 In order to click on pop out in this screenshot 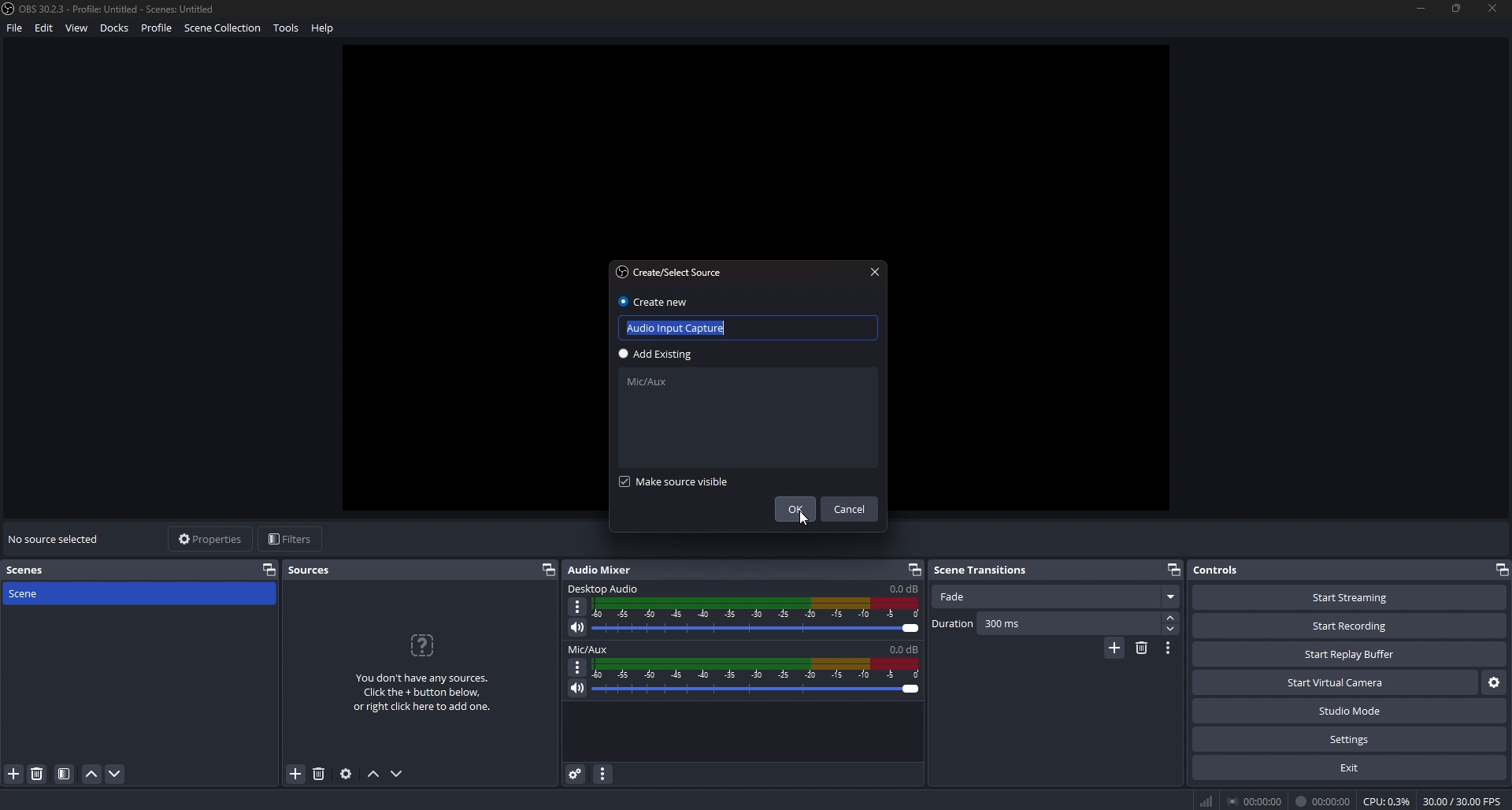, I will do `click(913, 569)`.